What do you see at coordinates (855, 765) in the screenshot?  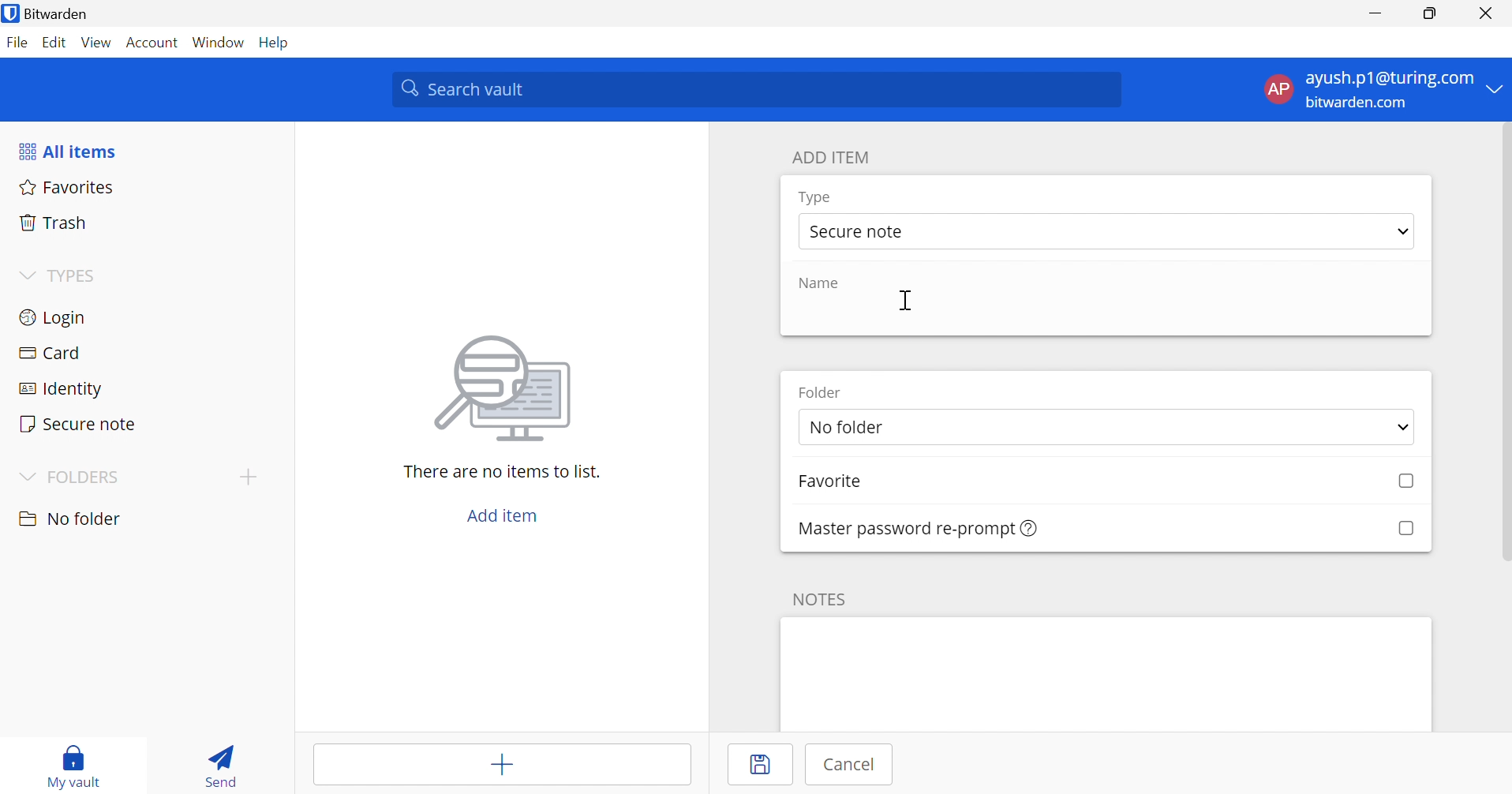 I see `Cancel` at bounding box center [855, 765].